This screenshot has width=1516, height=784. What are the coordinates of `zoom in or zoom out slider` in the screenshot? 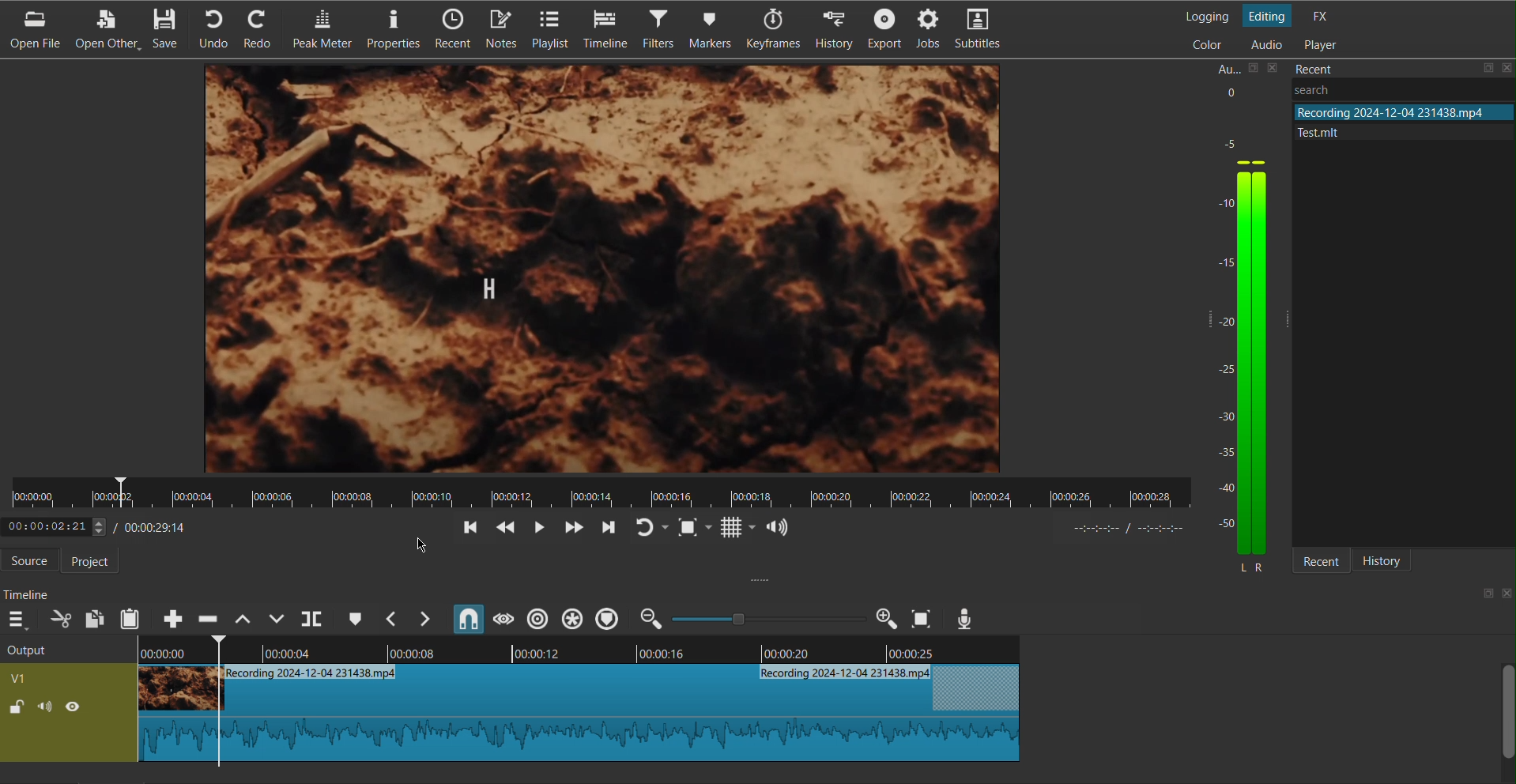 It's located at (763, 618).